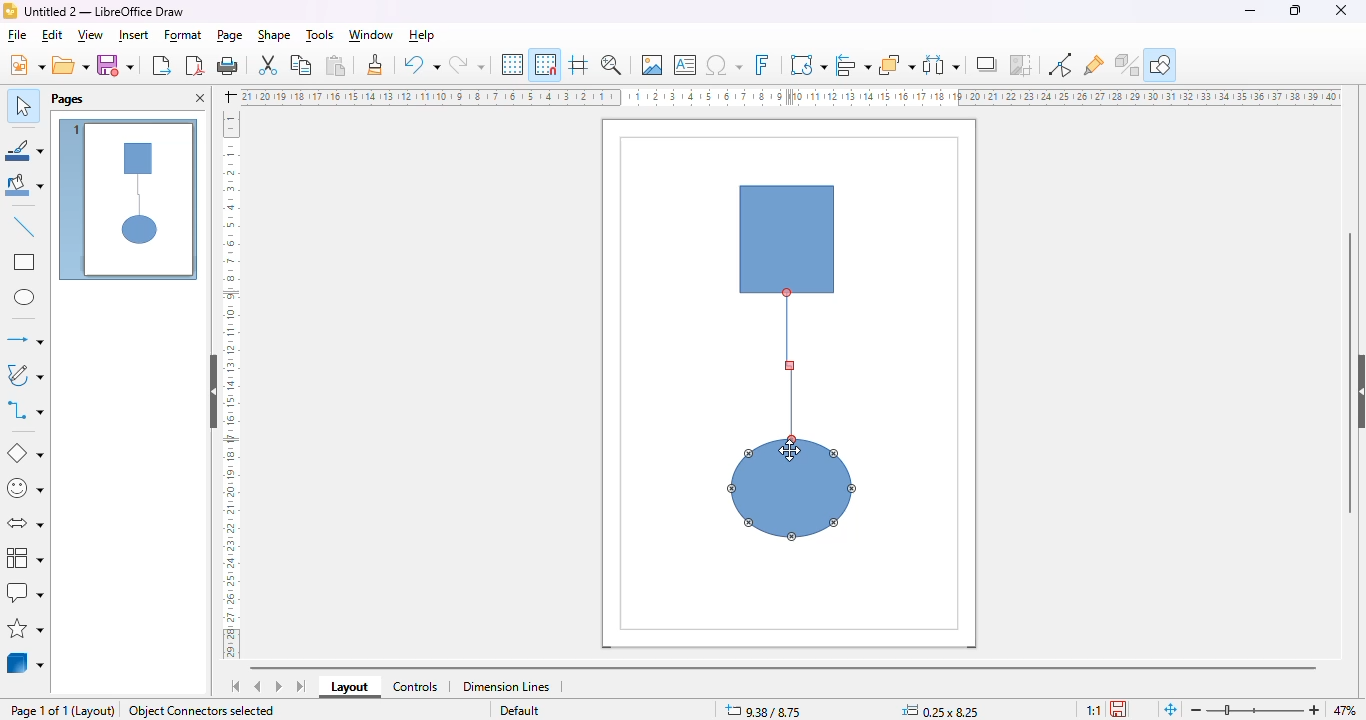 This screenshot has width=1366, height=720. Describe the element at coordinates (897, 65) in the screenshot. I see `arrange` at that location.